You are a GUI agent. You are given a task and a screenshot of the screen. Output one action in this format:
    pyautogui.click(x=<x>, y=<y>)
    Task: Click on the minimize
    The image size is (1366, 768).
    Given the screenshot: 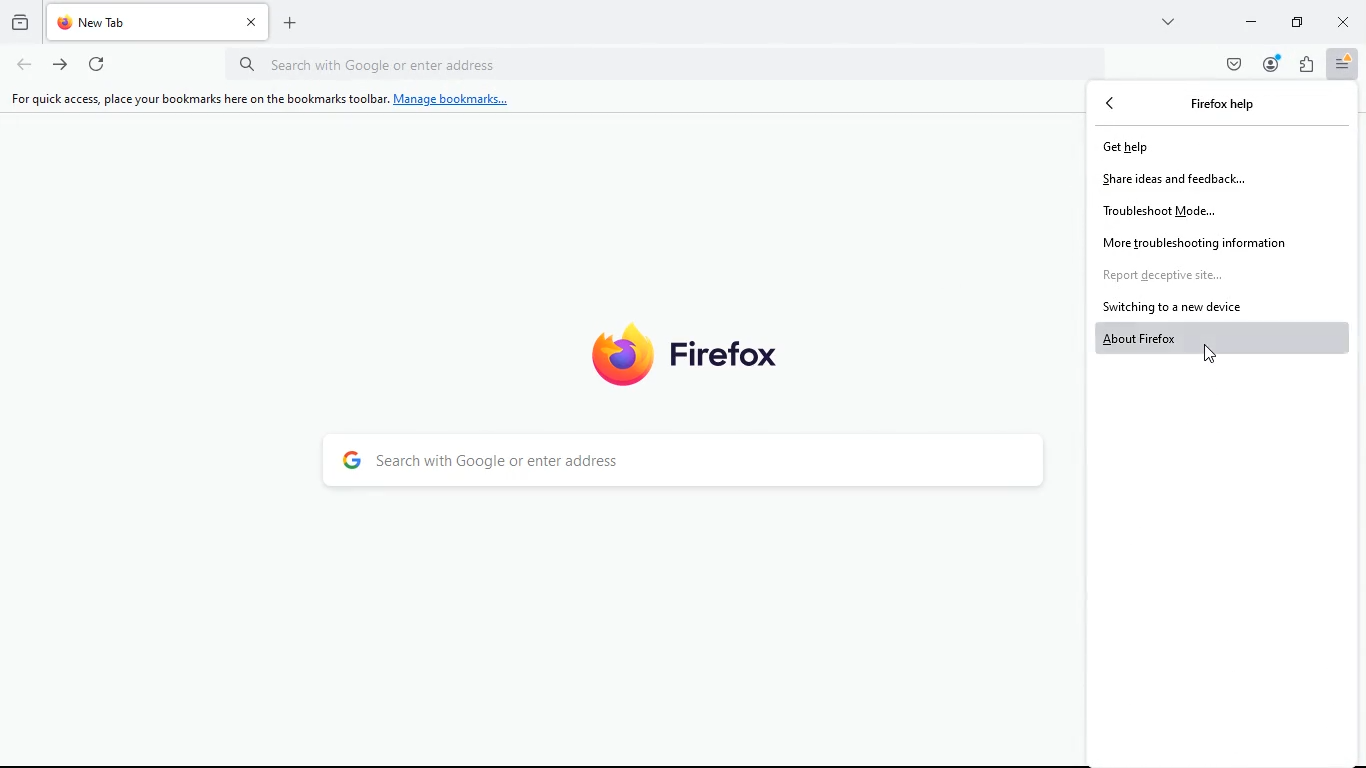 What is the action you would take?
    pyautogui.click(x=1249, y=24)
    